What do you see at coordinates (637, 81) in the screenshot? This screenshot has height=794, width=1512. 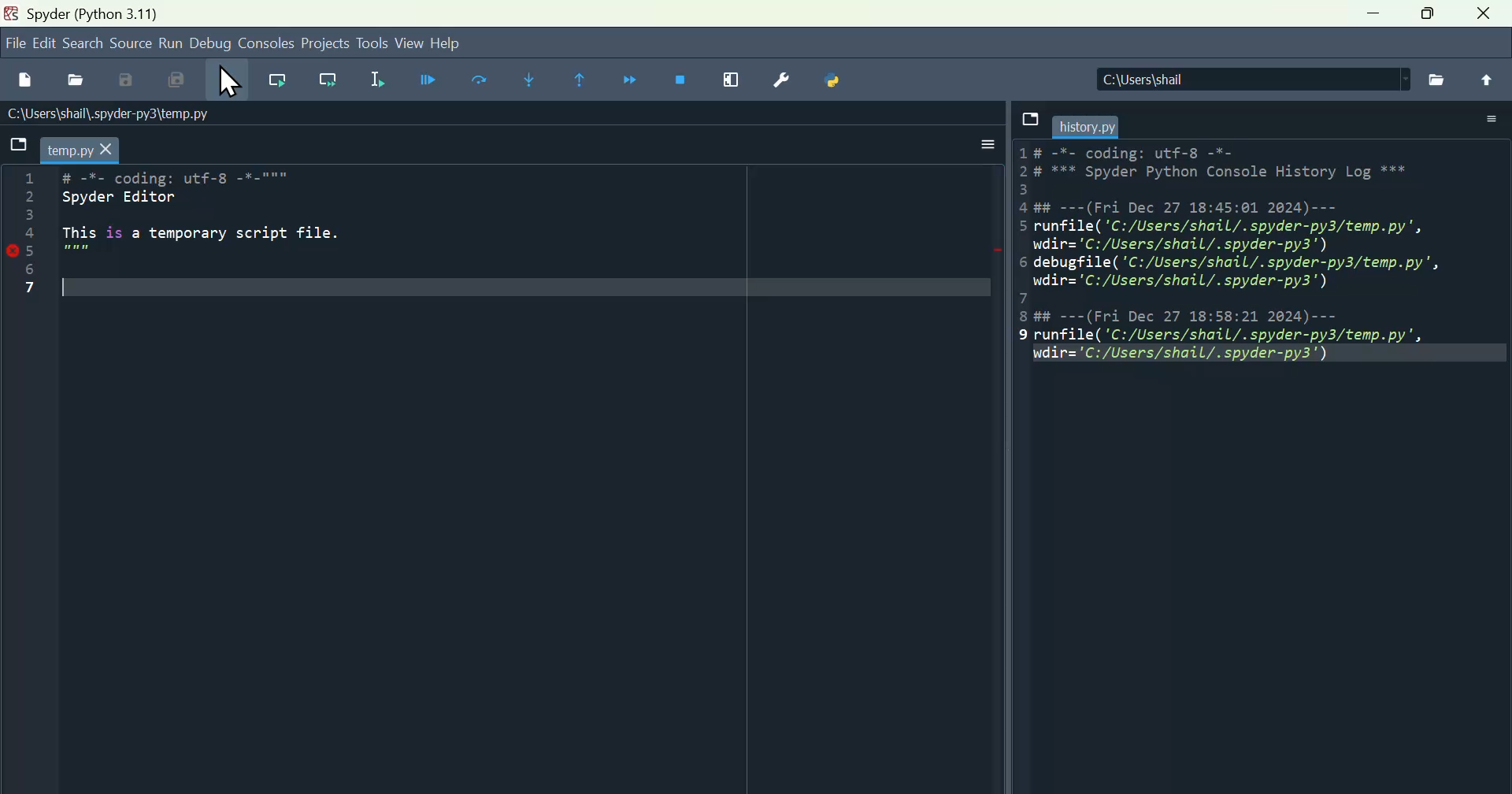 I see `Continue execution until next function` at bounding box center [637, 81].